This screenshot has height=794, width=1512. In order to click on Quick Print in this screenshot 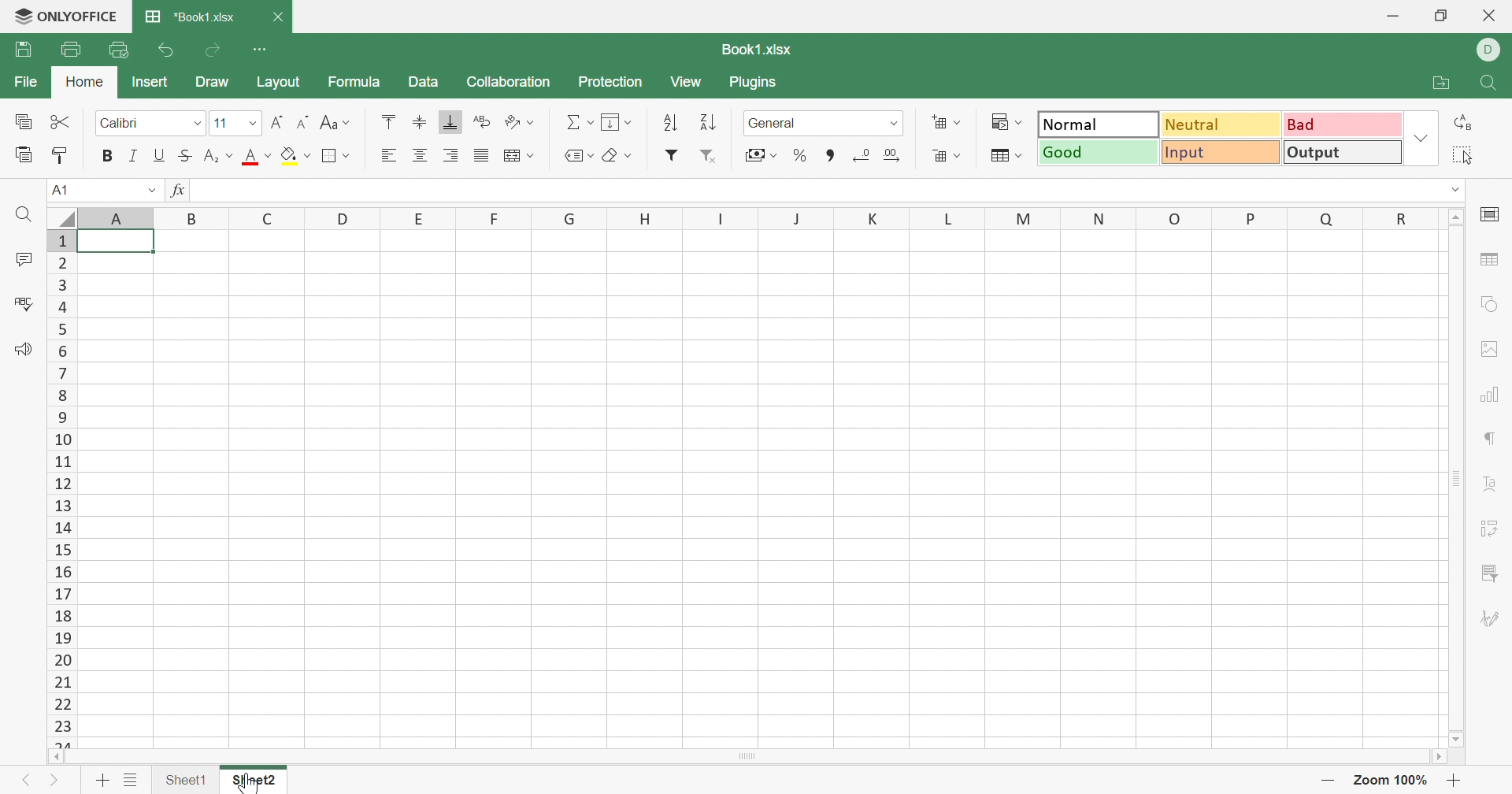, I will do `click(117, 48)`.